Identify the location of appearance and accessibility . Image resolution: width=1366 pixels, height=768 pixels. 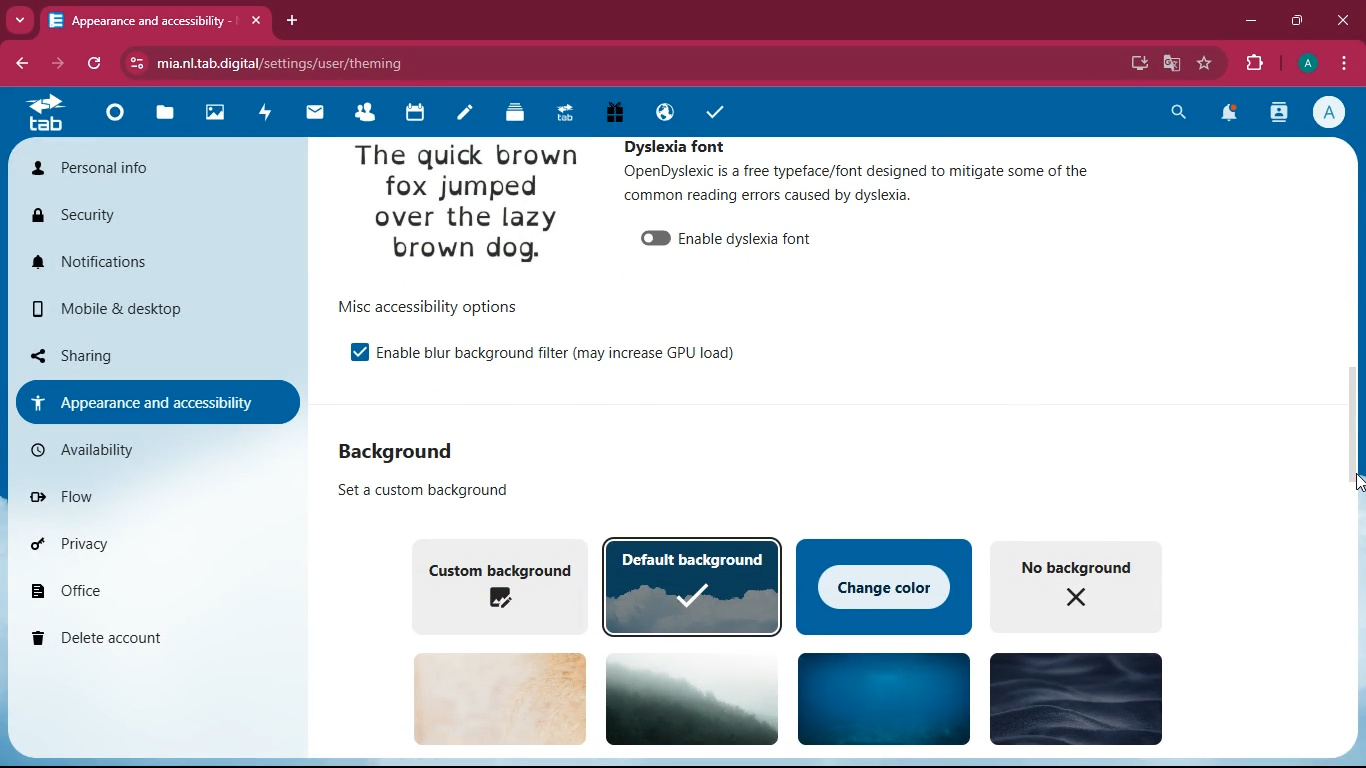
(159, 21).